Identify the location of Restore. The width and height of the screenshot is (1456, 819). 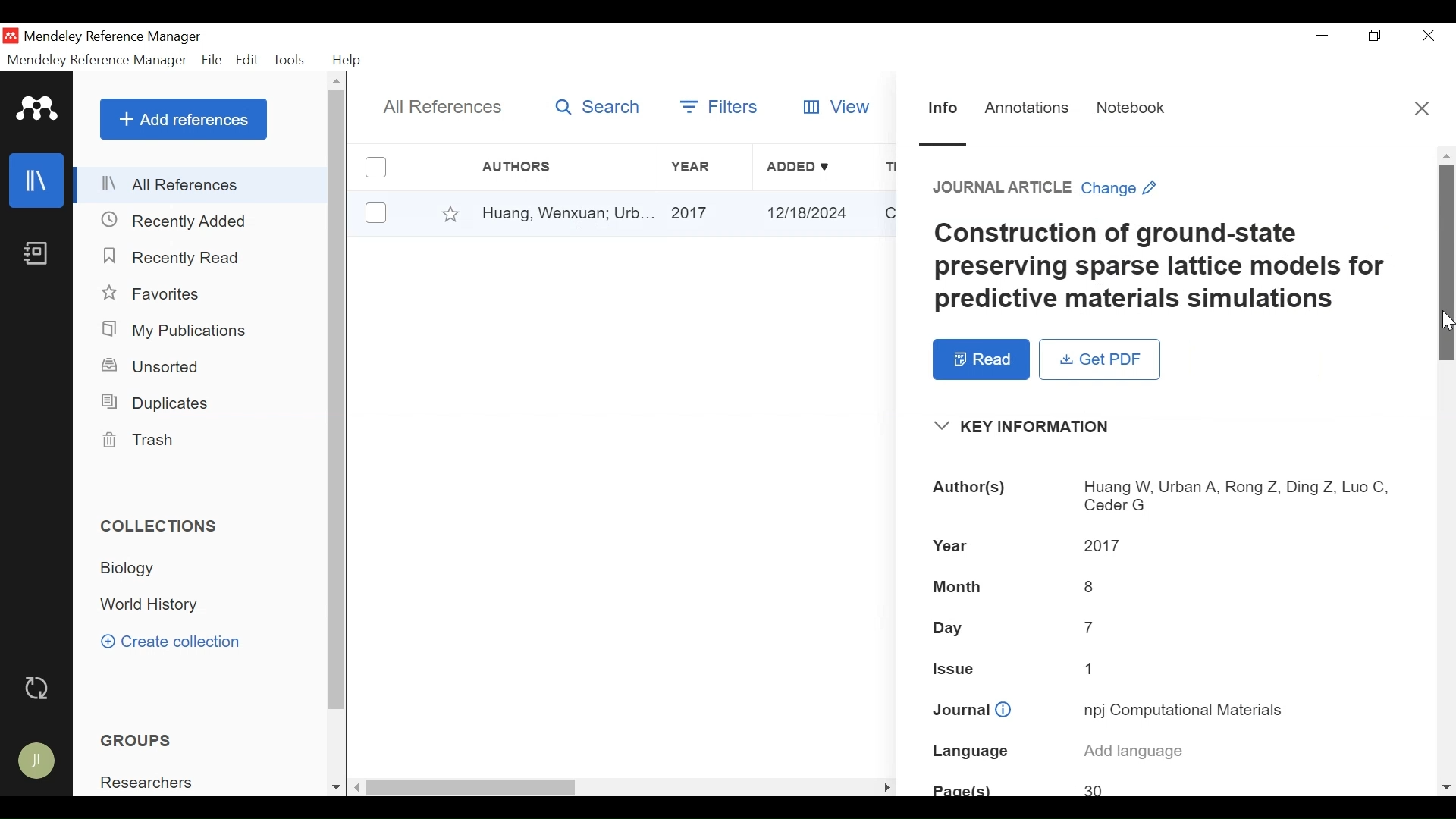
(1373, 35).